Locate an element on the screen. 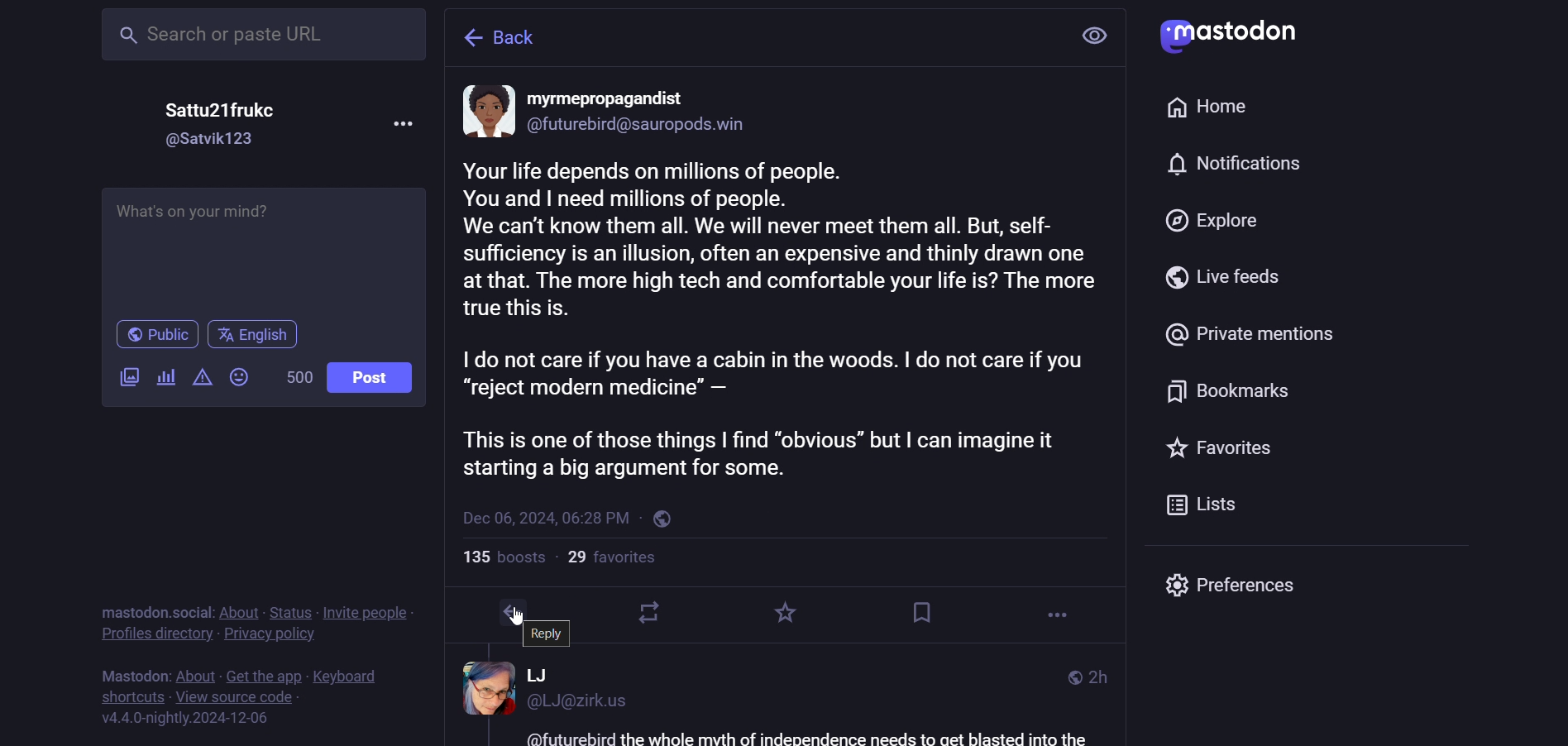 The image size is (1568, 746). cursor is located at coordinates (516, 618).